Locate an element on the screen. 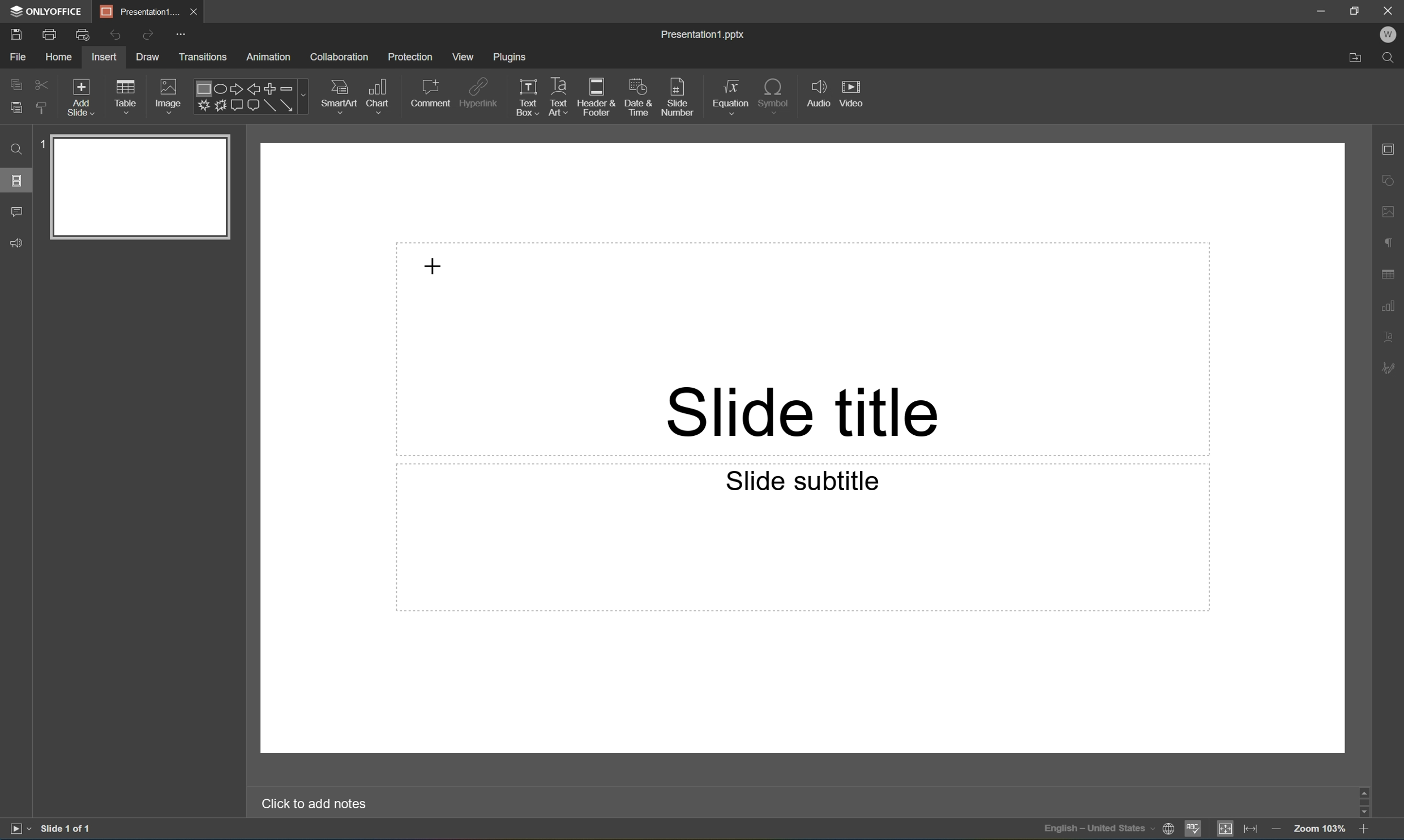 The height and width of the screenshot is (840, 1404). Add Slide is located at coordinates (82, 98).